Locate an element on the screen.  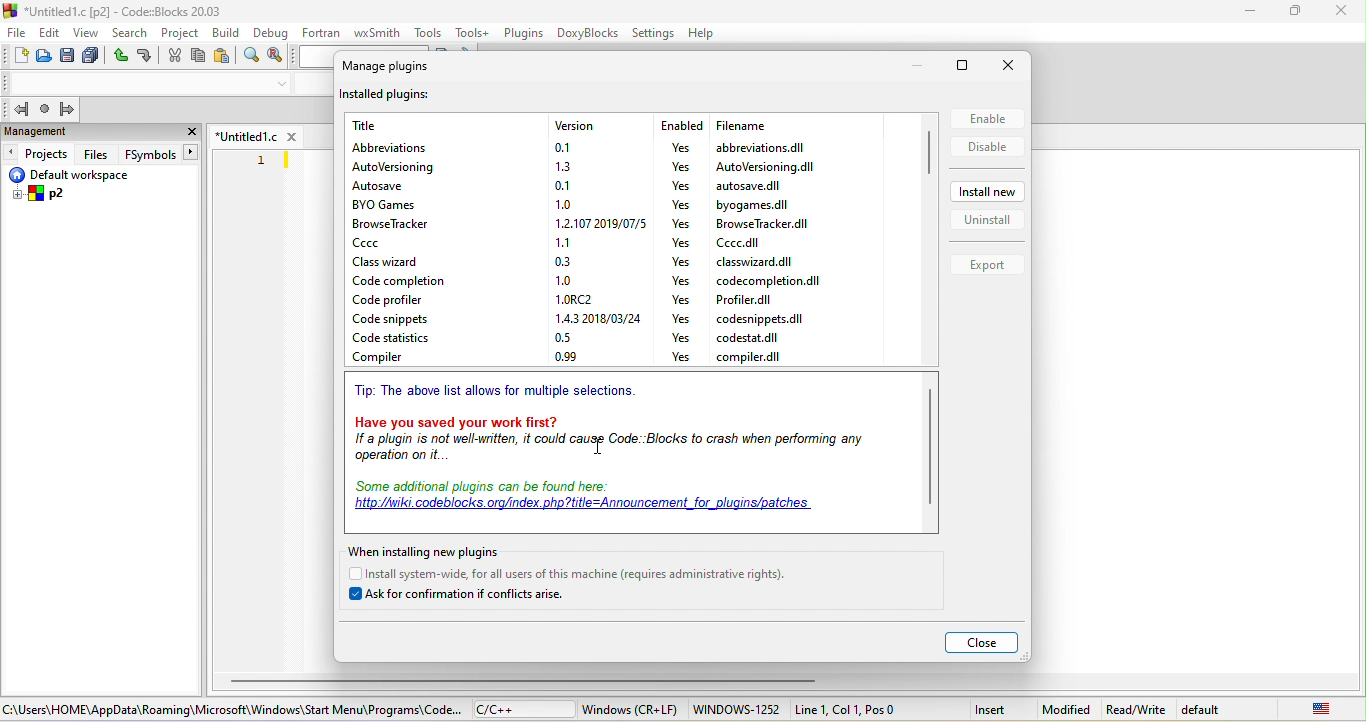
codecompletion is located at coordinates (766, 281).